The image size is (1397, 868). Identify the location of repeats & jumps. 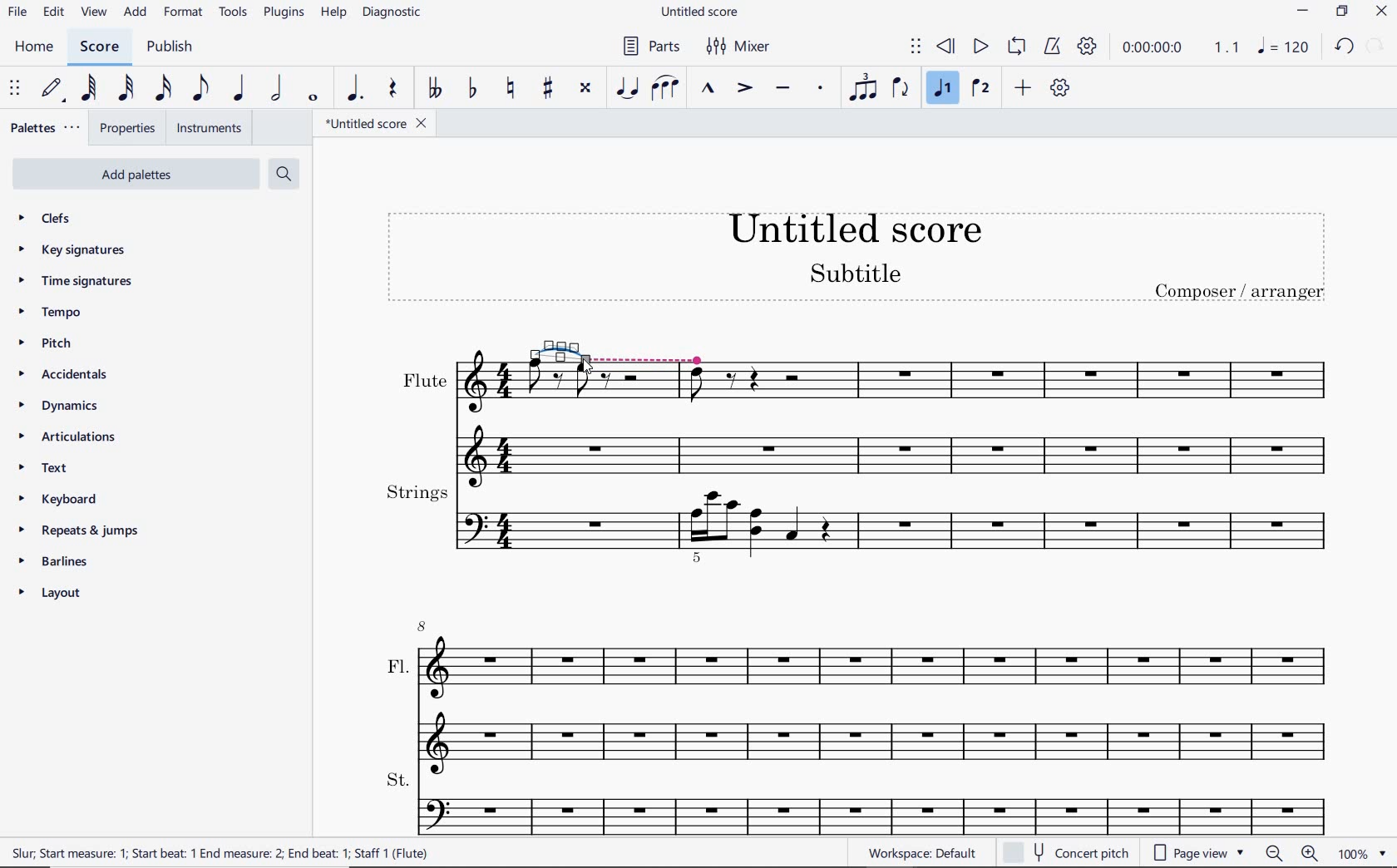
(84, 531).